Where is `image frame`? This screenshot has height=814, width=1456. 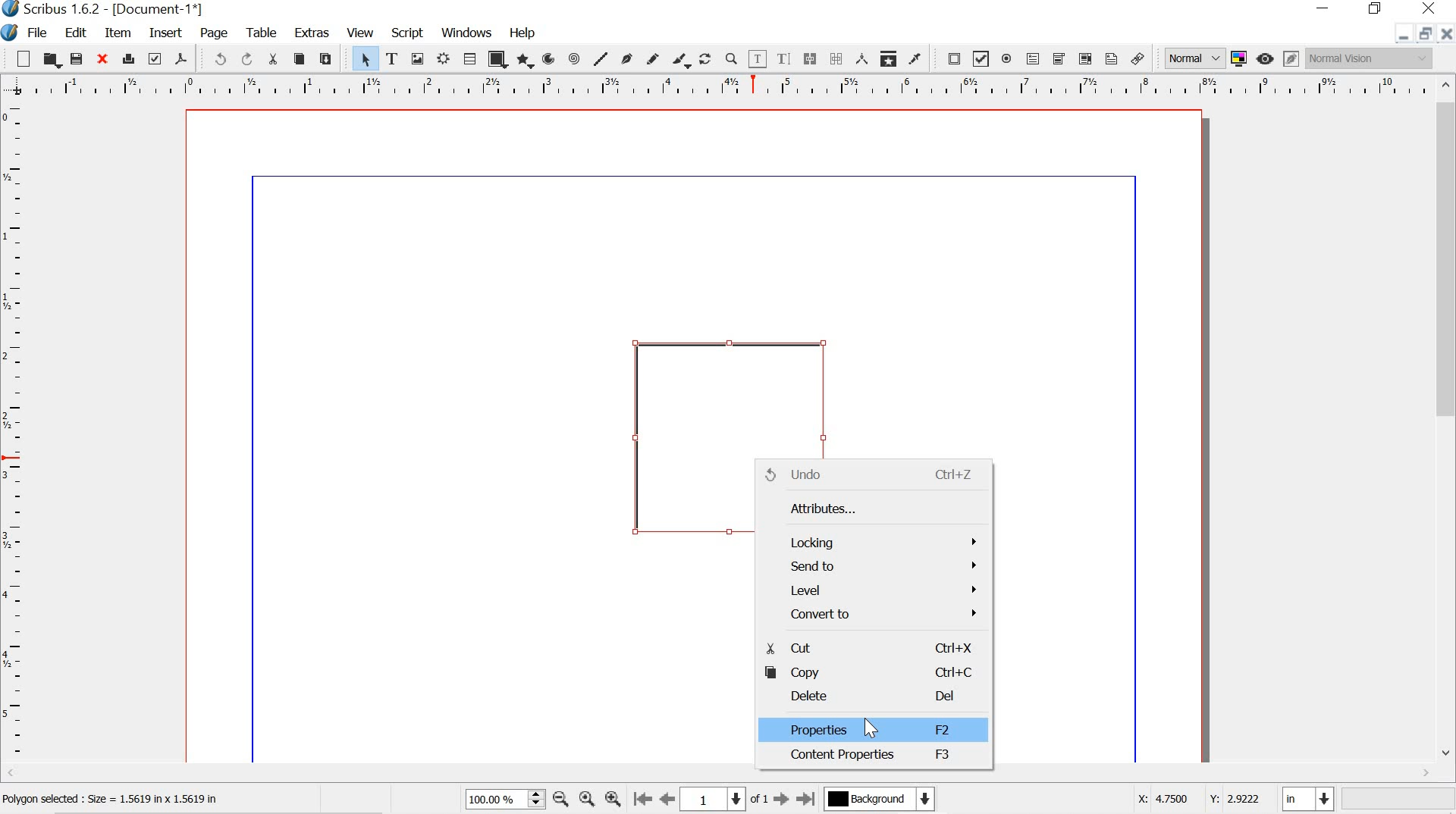 image frame is located at coordinates (418, 58).